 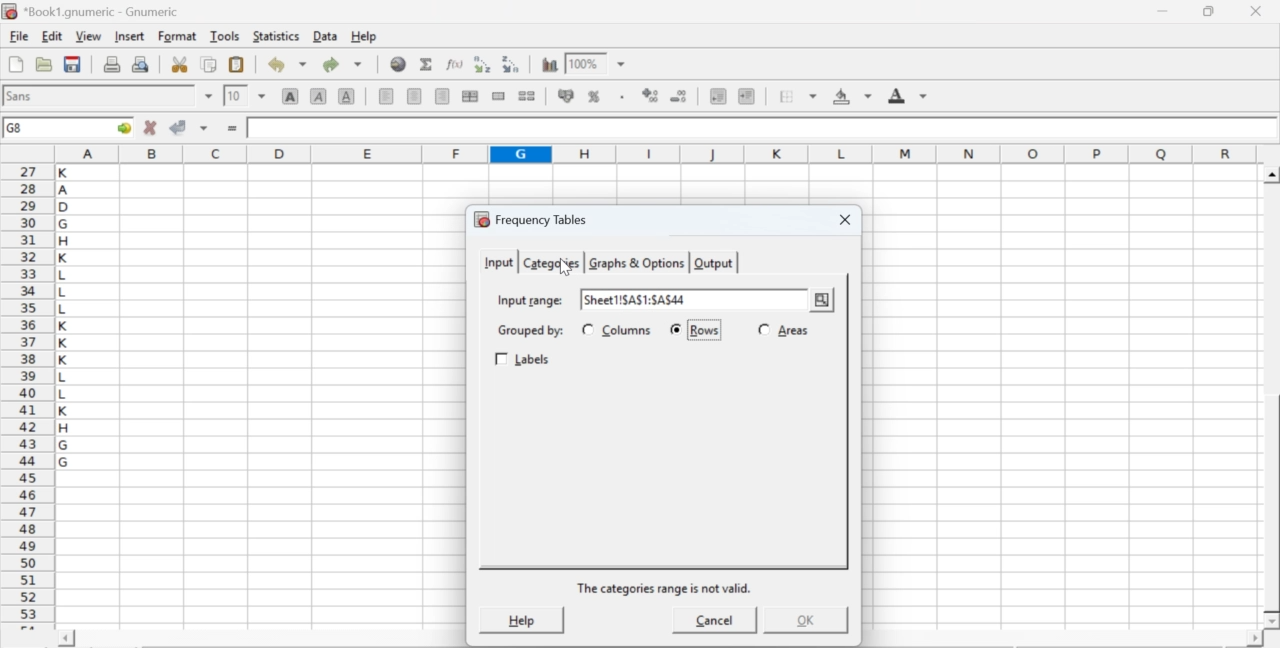 What do you see at coordinates (512, 62) in the screenshot?
I see `Sort the selected region in descending order based on the first column selected` at bounding box center [512, 62].